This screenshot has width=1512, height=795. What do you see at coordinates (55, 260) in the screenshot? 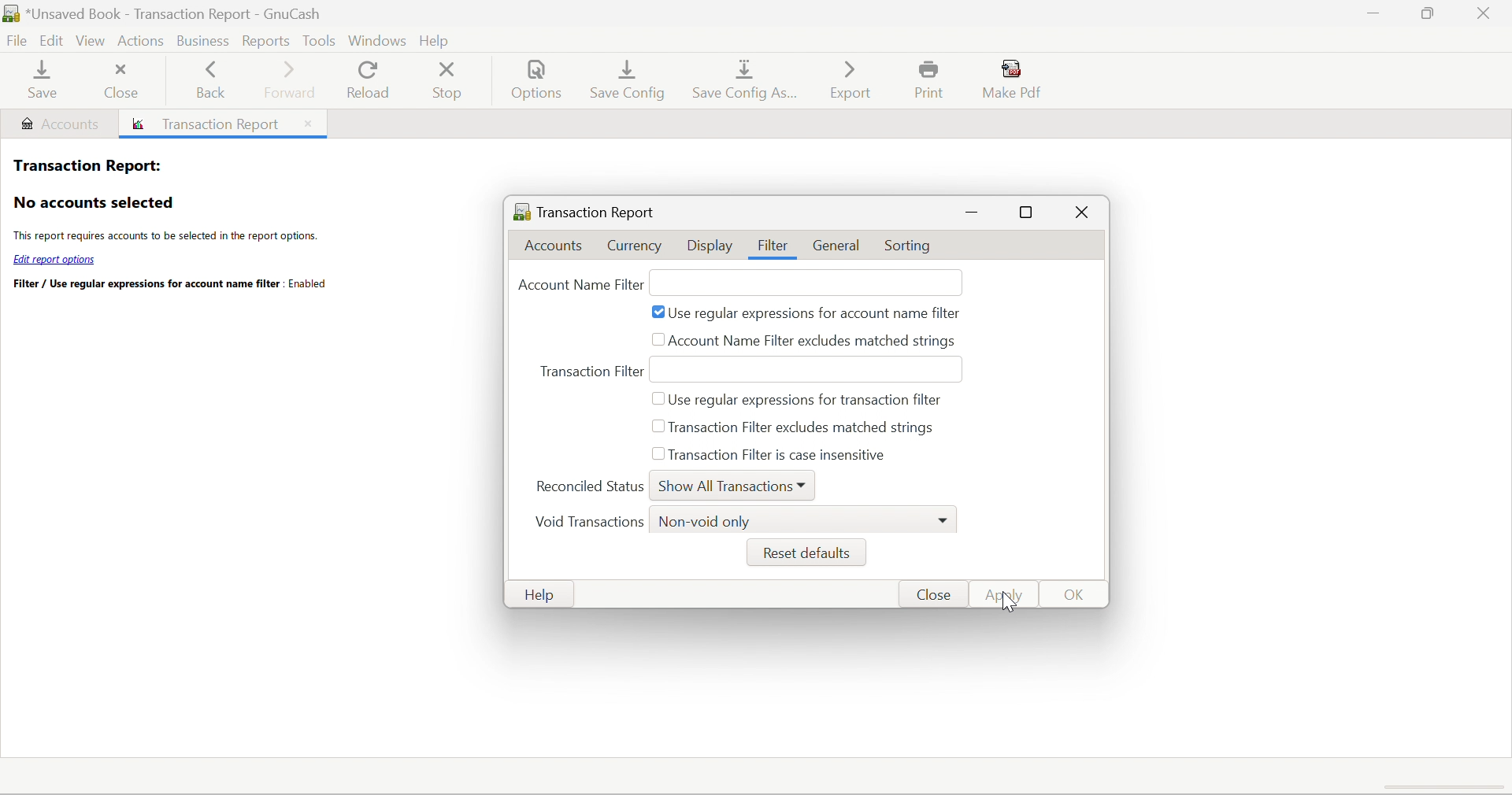
I see `Edit report options` at bounding box center [55, 260].